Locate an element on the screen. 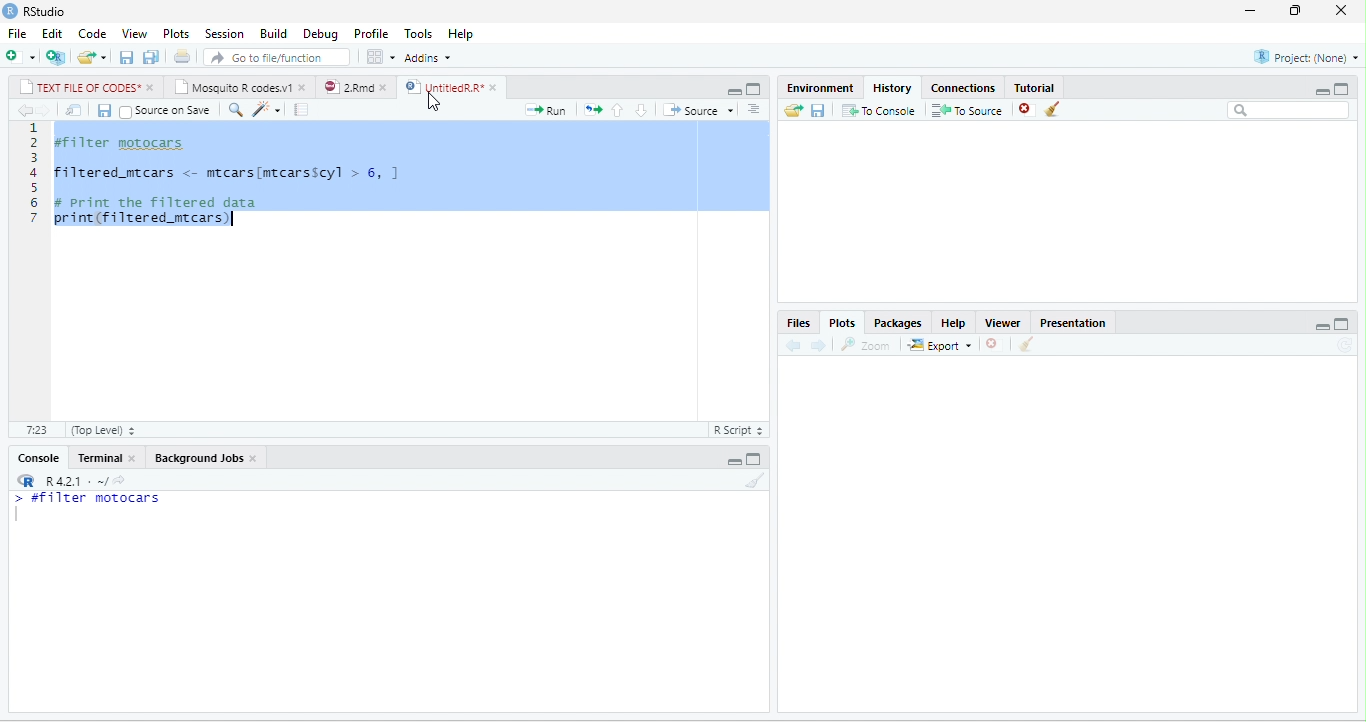 This screenshot has width=1366, height=722. close file is located at coordinates (994, 344).